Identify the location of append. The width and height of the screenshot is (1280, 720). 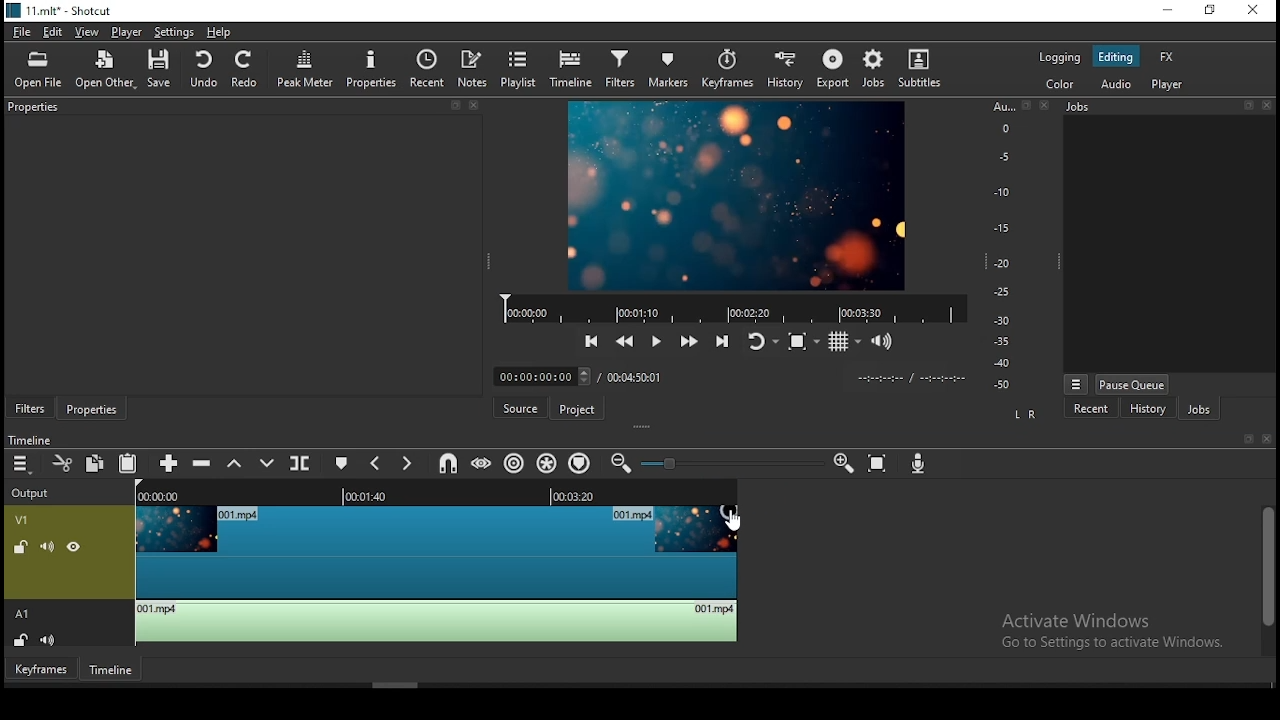
(169, 462).